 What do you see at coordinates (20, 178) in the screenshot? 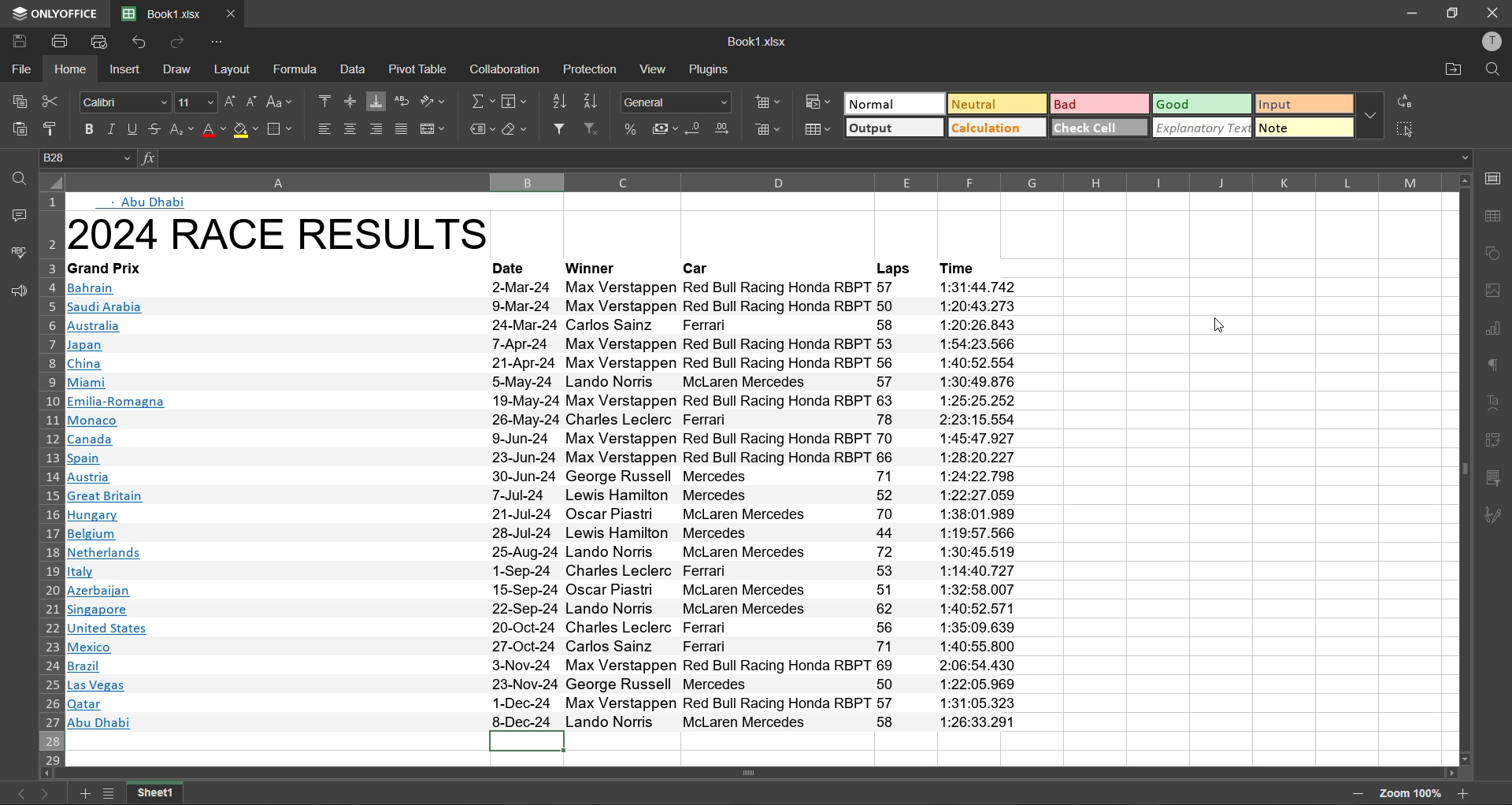
I see `find` at bounding box center [20, 178].